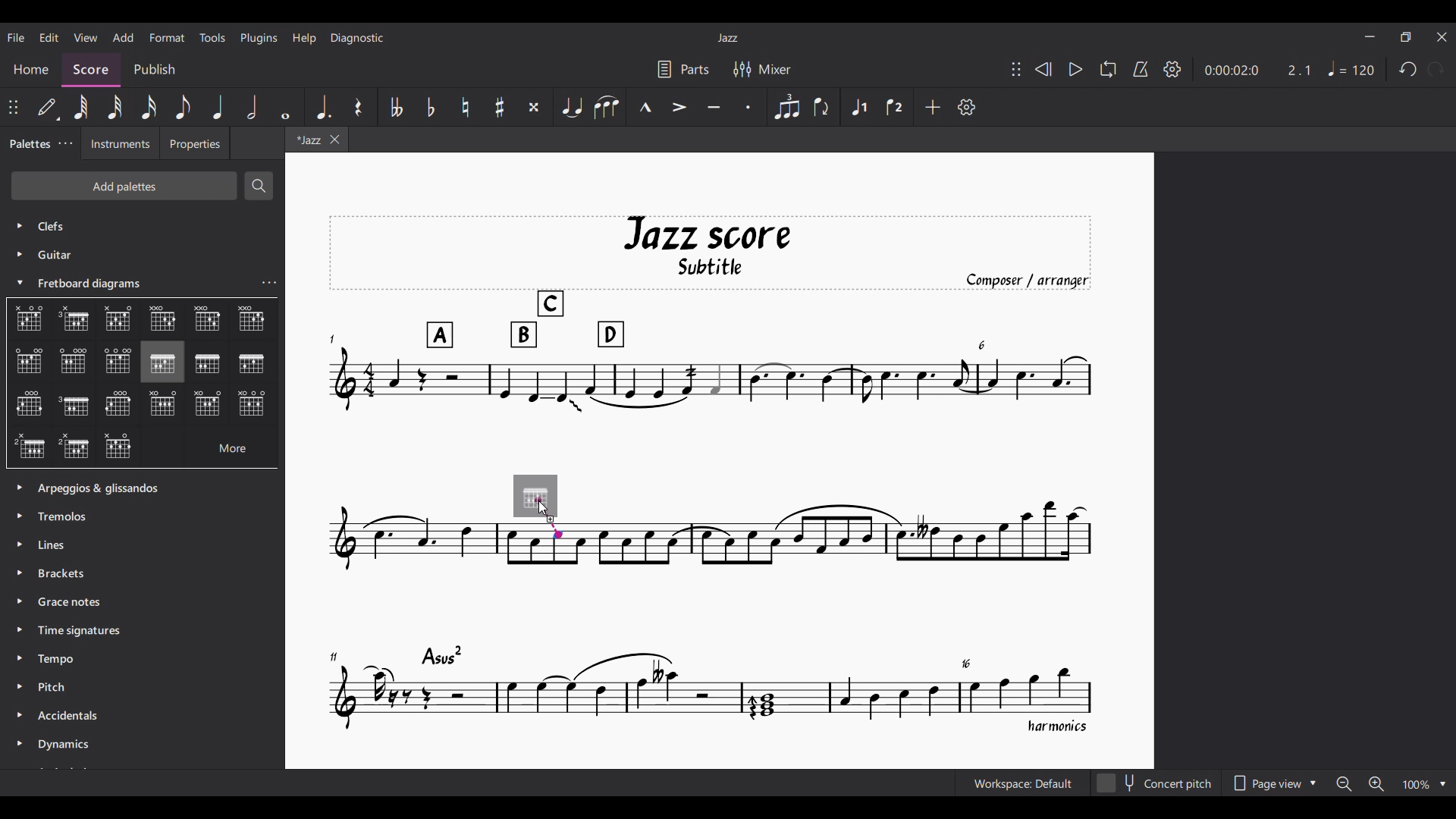 Image resolution: width=1456 pixels, height=819 pixels. What do you see at coordinates (727, 38) in the screenshot?
I see `Title of current score` at bounding box center [727, 38].